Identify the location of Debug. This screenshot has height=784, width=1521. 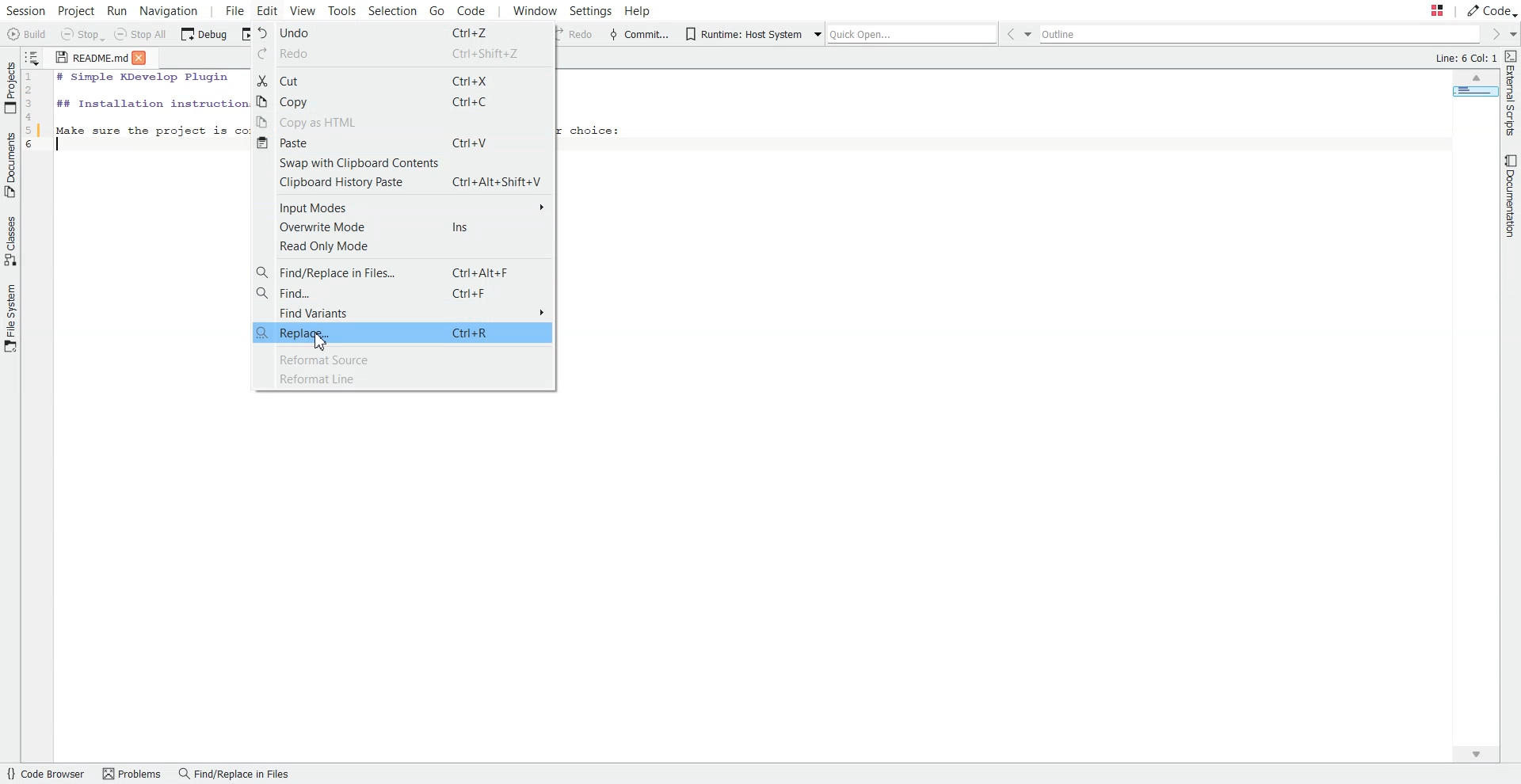
(204, 35).